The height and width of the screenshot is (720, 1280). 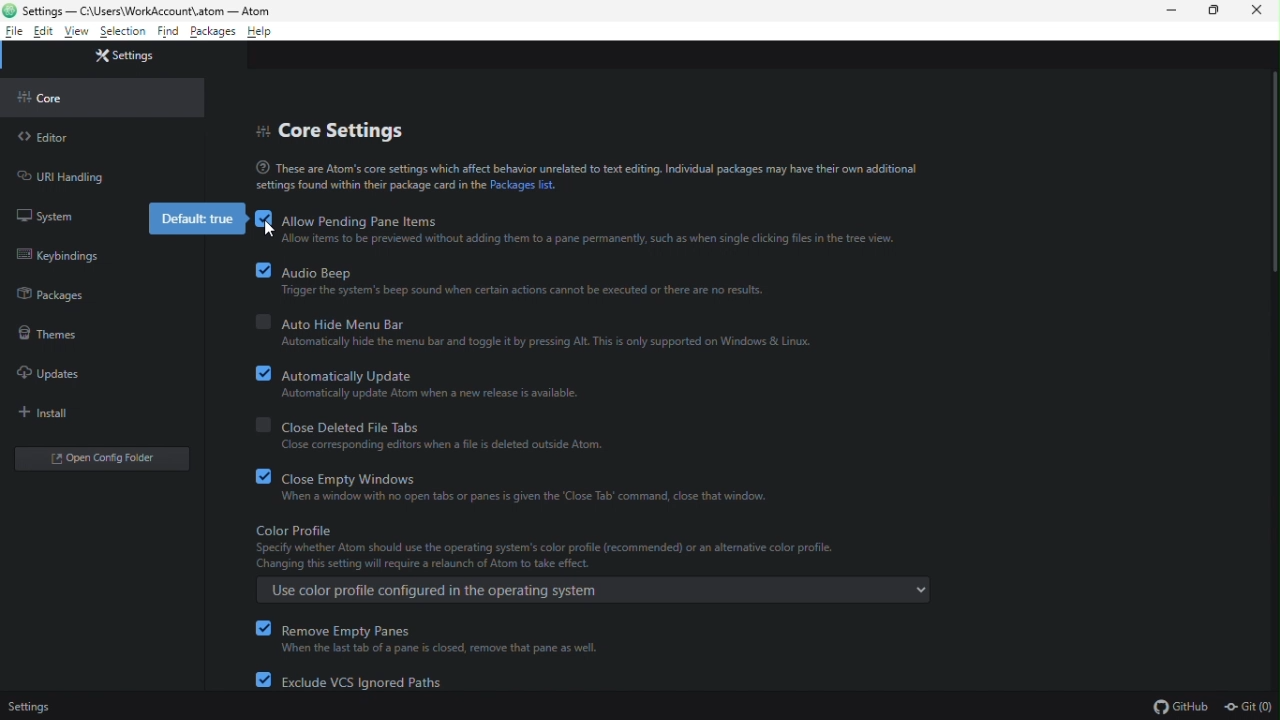 What do you see at coordinates (360, 681) in the screenshot?
I see `exclude VCs ignored paths` at bounding box center [360, 681].